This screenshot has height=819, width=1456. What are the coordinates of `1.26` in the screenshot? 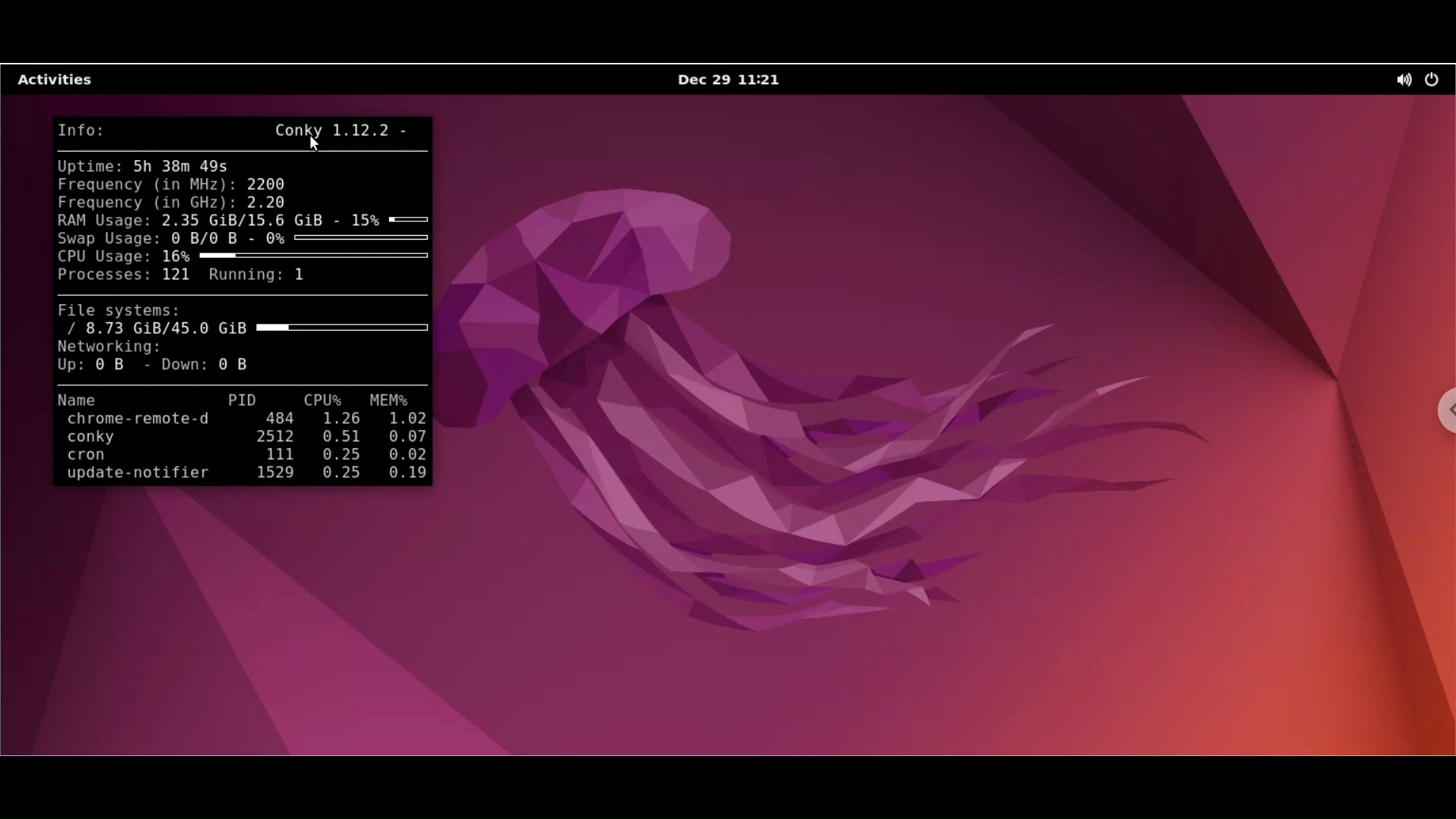 It's located at (339, 419).